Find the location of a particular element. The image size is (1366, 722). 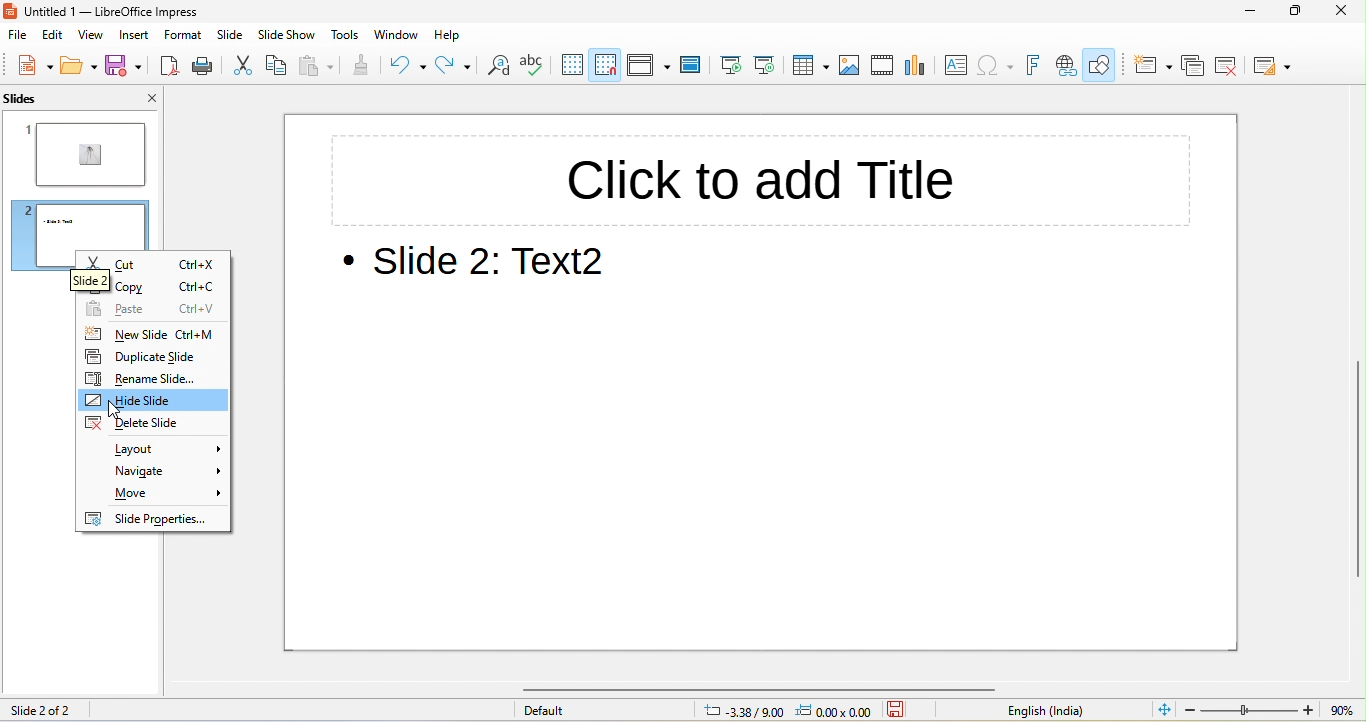

slide is located at coordinates (233, 37).